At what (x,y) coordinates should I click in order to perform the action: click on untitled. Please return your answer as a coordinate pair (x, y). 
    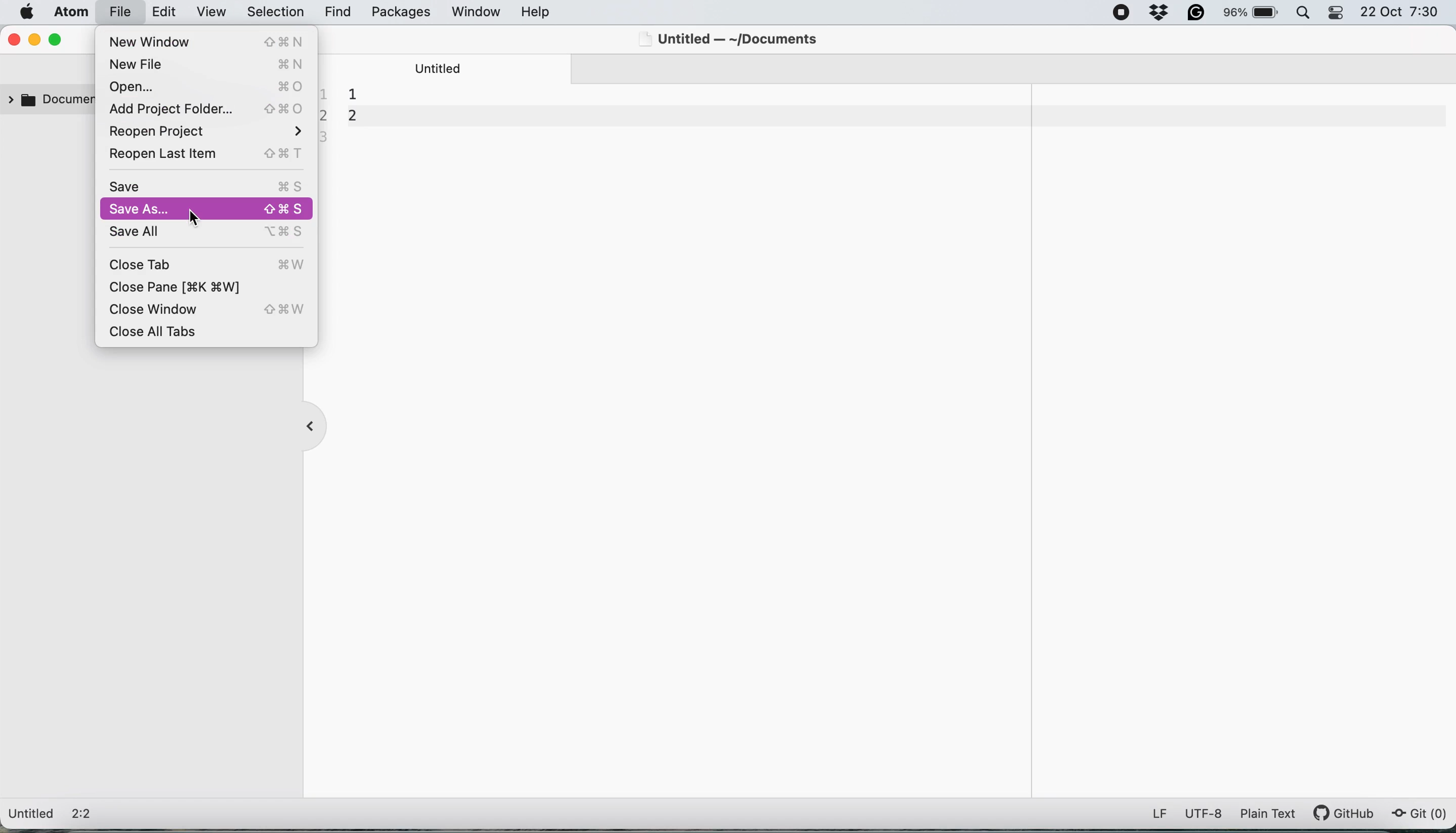
    Looking at the image, I should click on (443, 68).